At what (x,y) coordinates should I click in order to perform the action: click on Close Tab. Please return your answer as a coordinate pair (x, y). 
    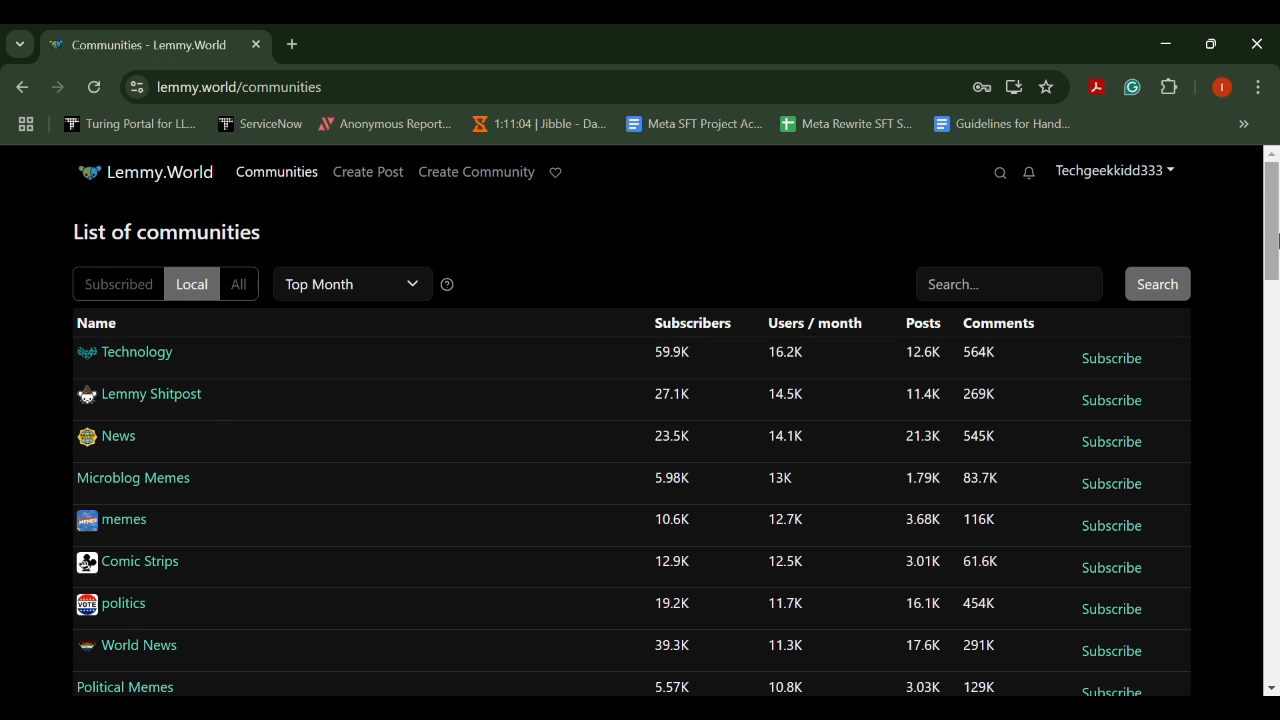
    Looking at the image, I should click on (254, 44).